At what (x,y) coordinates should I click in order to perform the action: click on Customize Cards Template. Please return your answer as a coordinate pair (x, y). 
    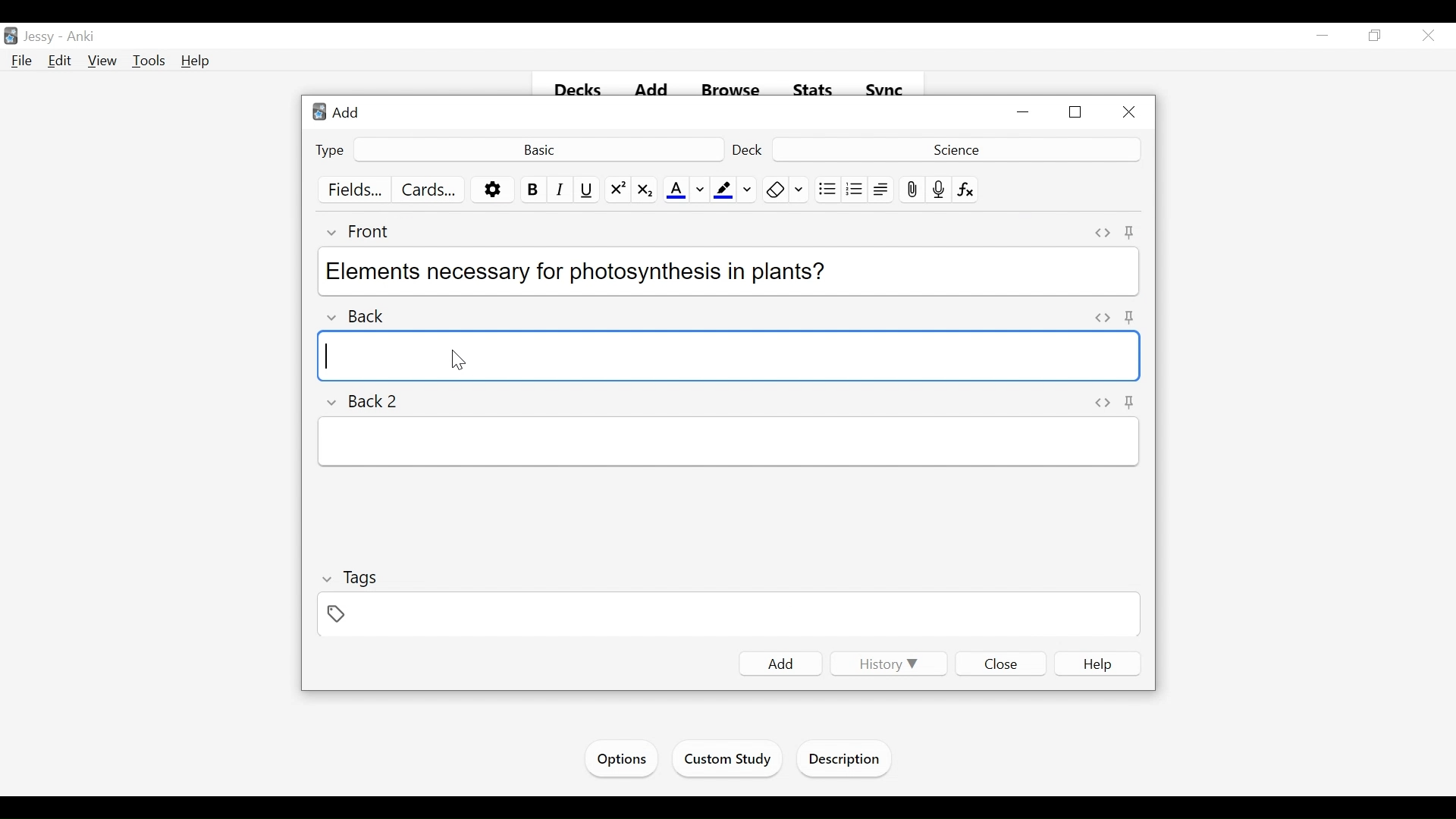
    Looking at the image, I should click on (429, 190).